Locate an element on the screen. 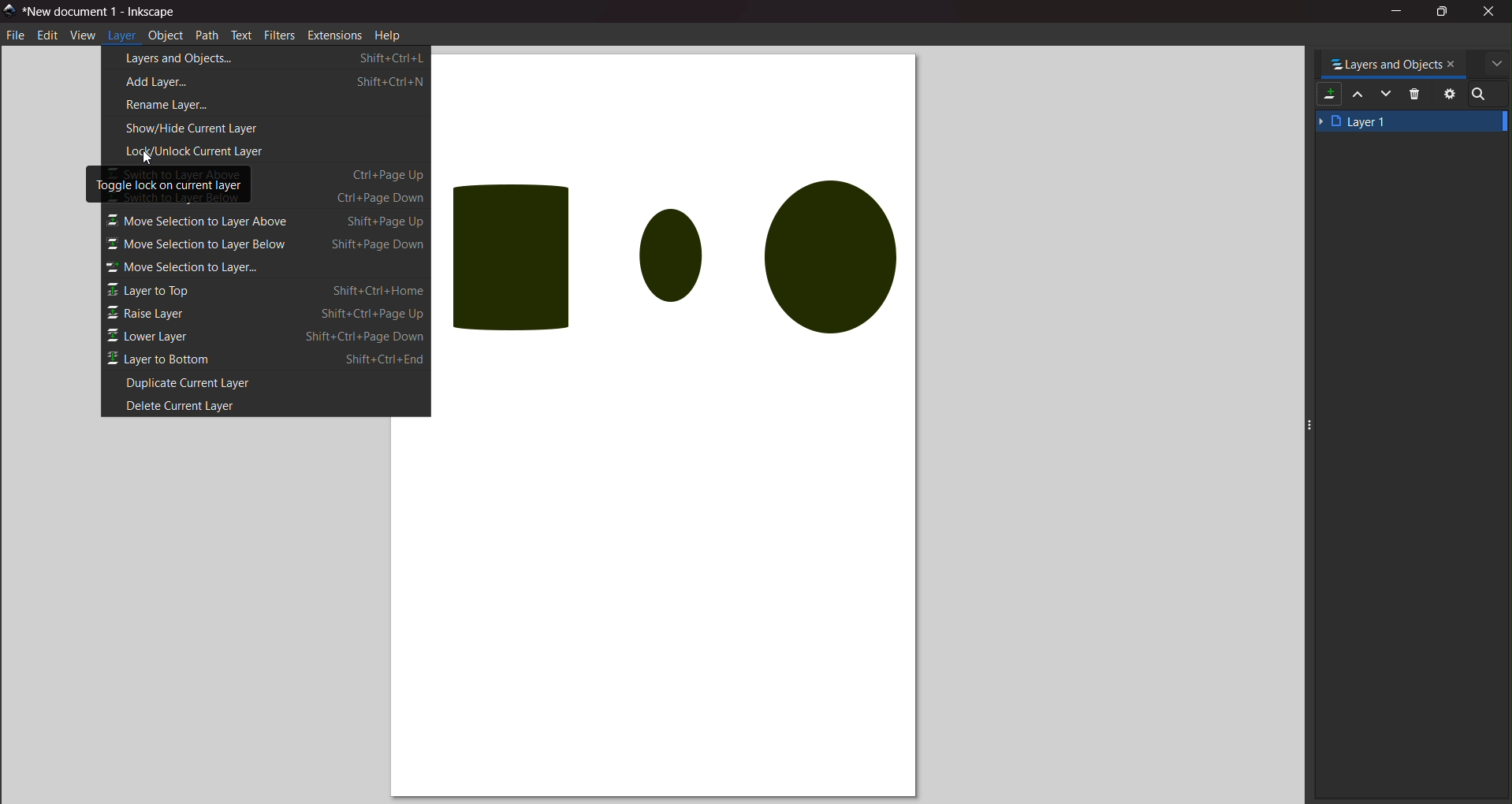 Image resolution: width=1512 pixels, height=804 pixels. add layer is located at coordinates (270, 83).